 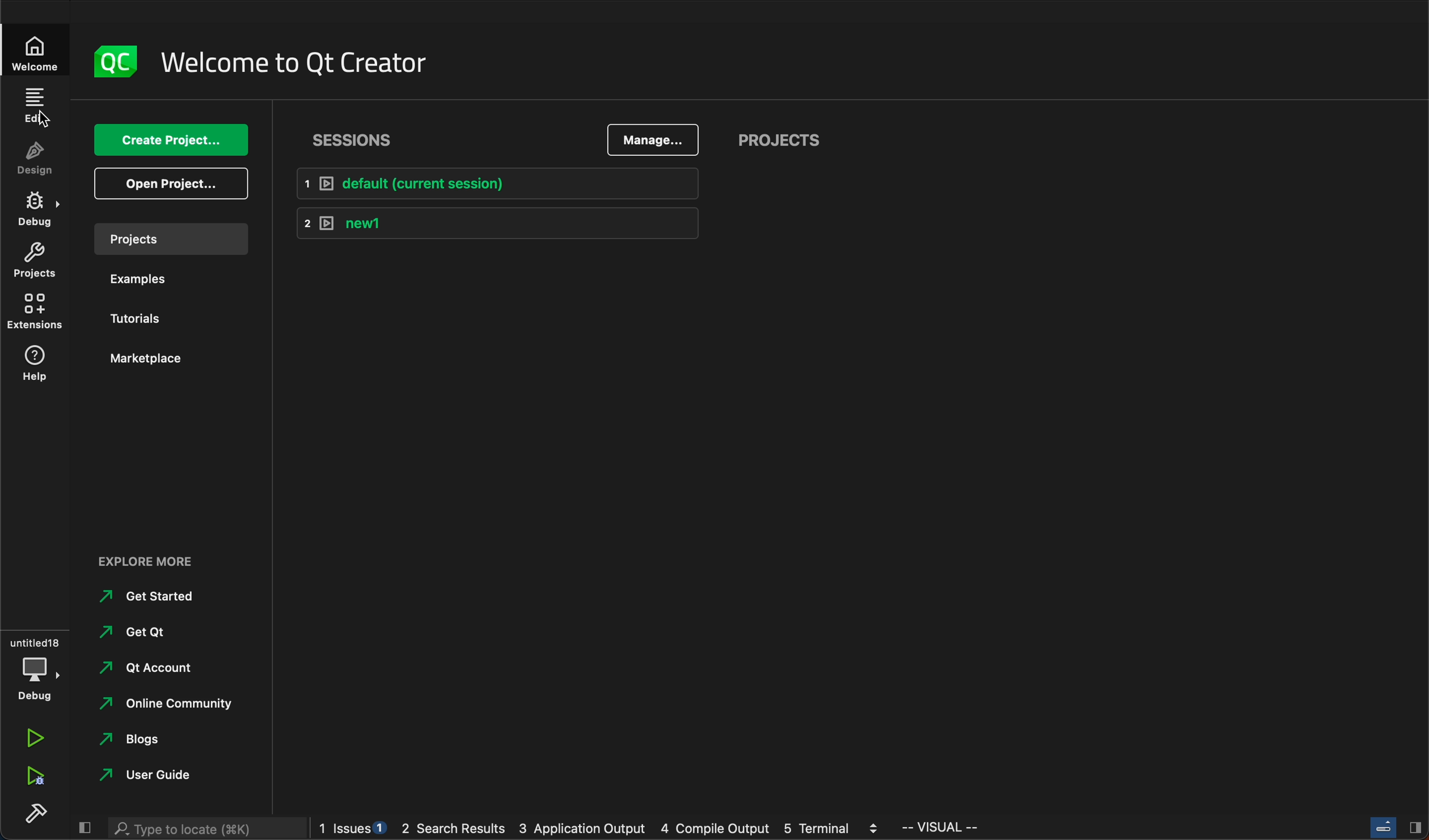 I want to click on explore more, so click(x=152, y=558).